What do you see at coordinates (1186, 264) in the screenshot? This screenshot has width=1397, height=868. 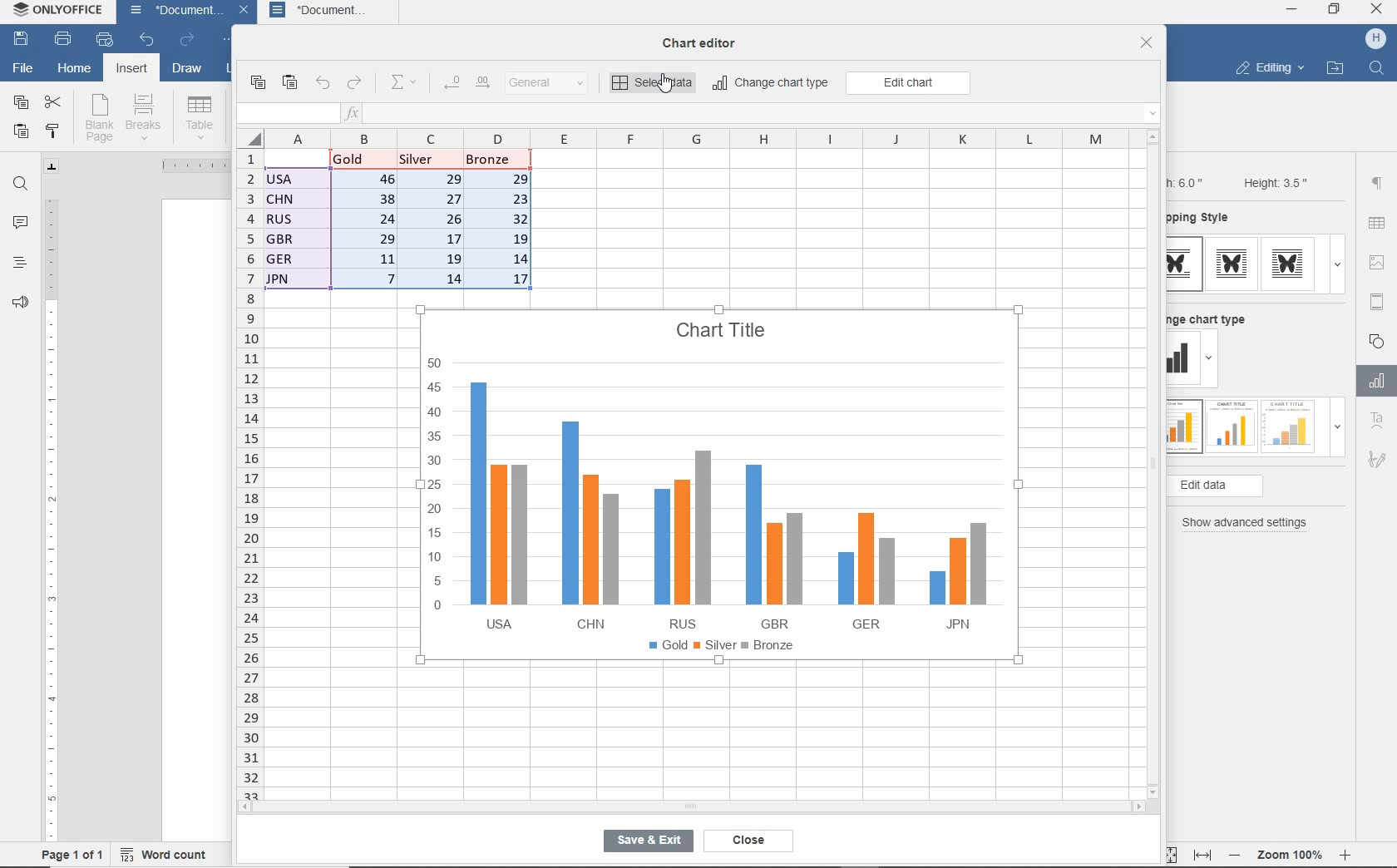 I see `type 1` at bounding box center [1186, 264].